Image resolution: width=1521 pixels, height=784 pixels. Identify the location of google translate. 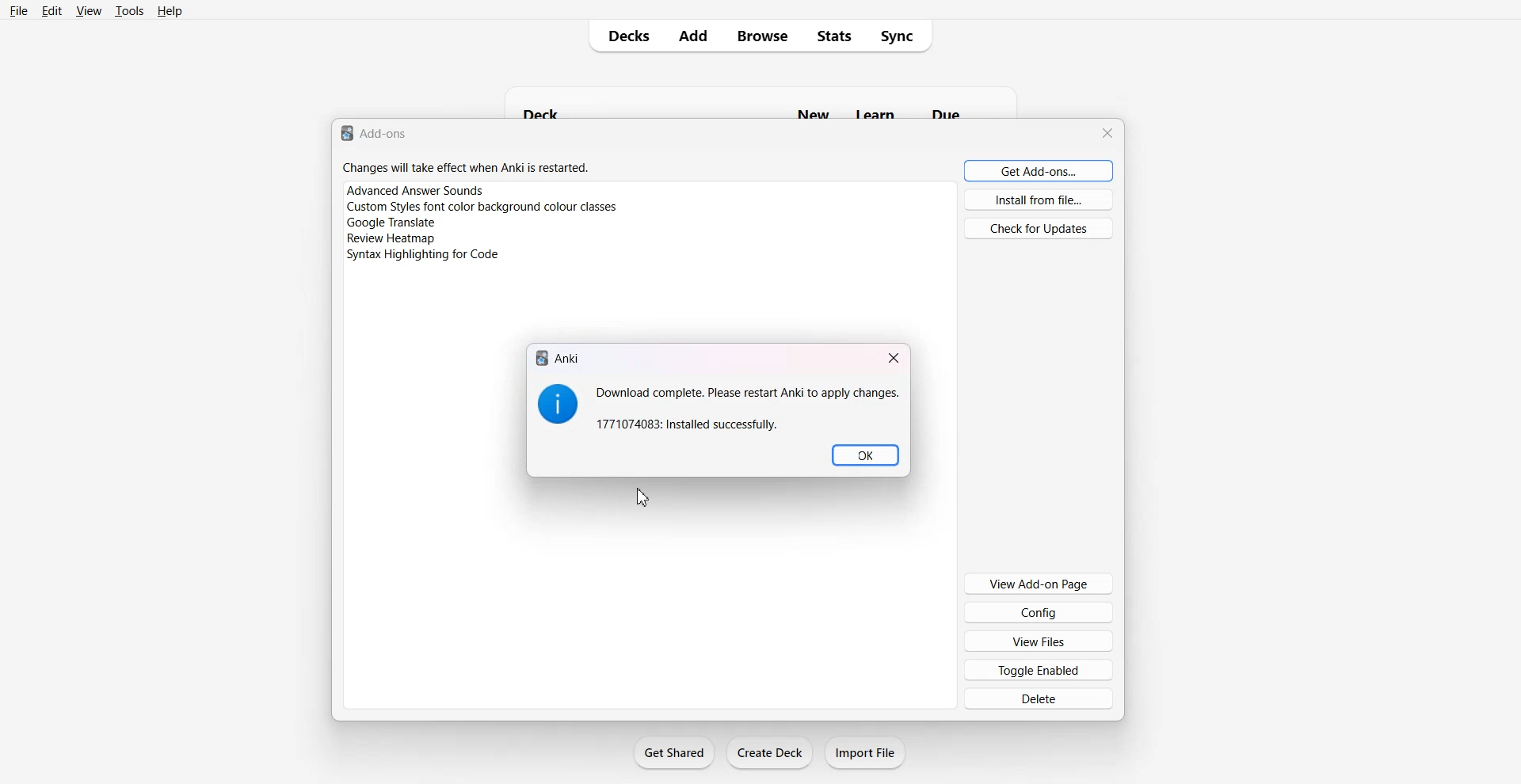
(390, 223).